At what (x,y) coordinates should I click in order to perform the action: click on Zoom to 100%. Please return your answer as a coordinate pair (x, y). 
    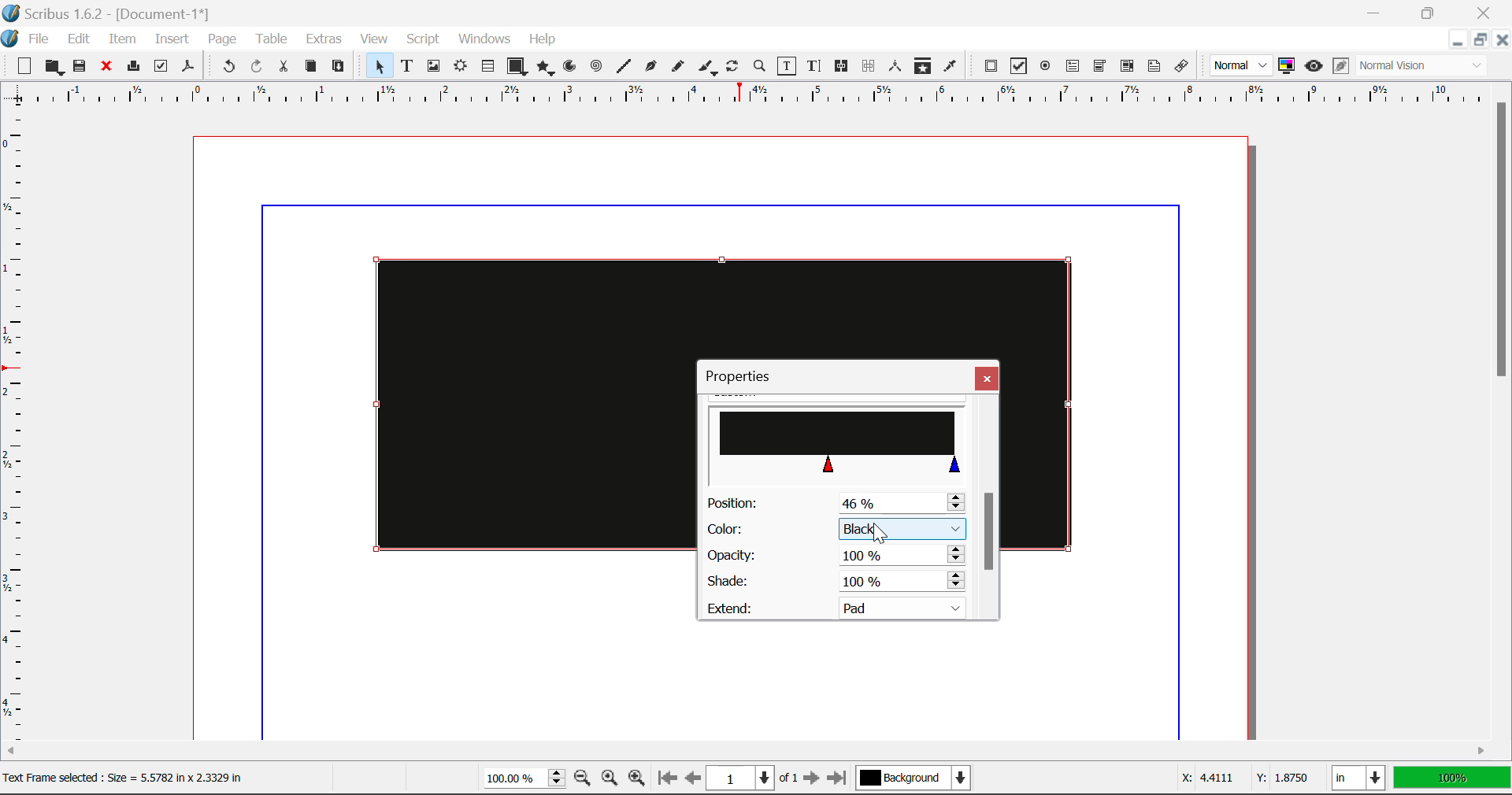
    Looking at the image, I should click on (610, 780).